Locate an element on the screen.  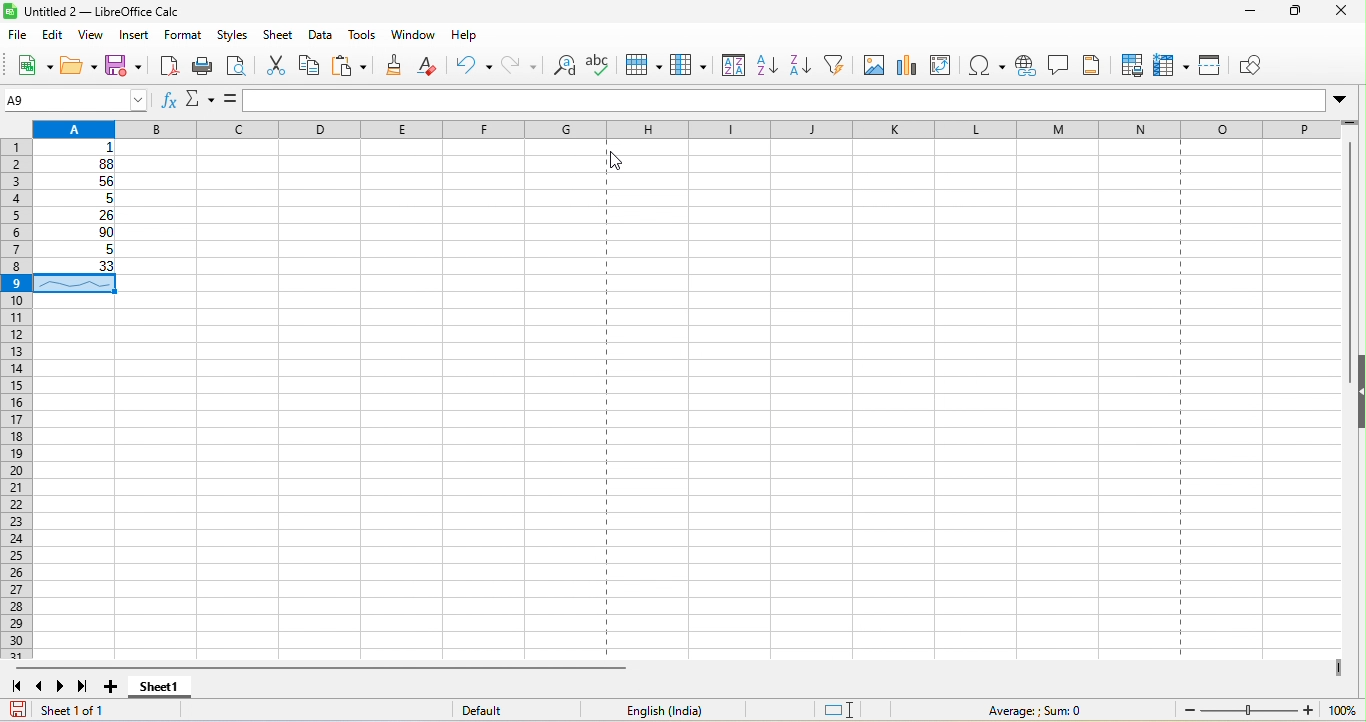
edit pivot table is located at coordinates (946, 65).